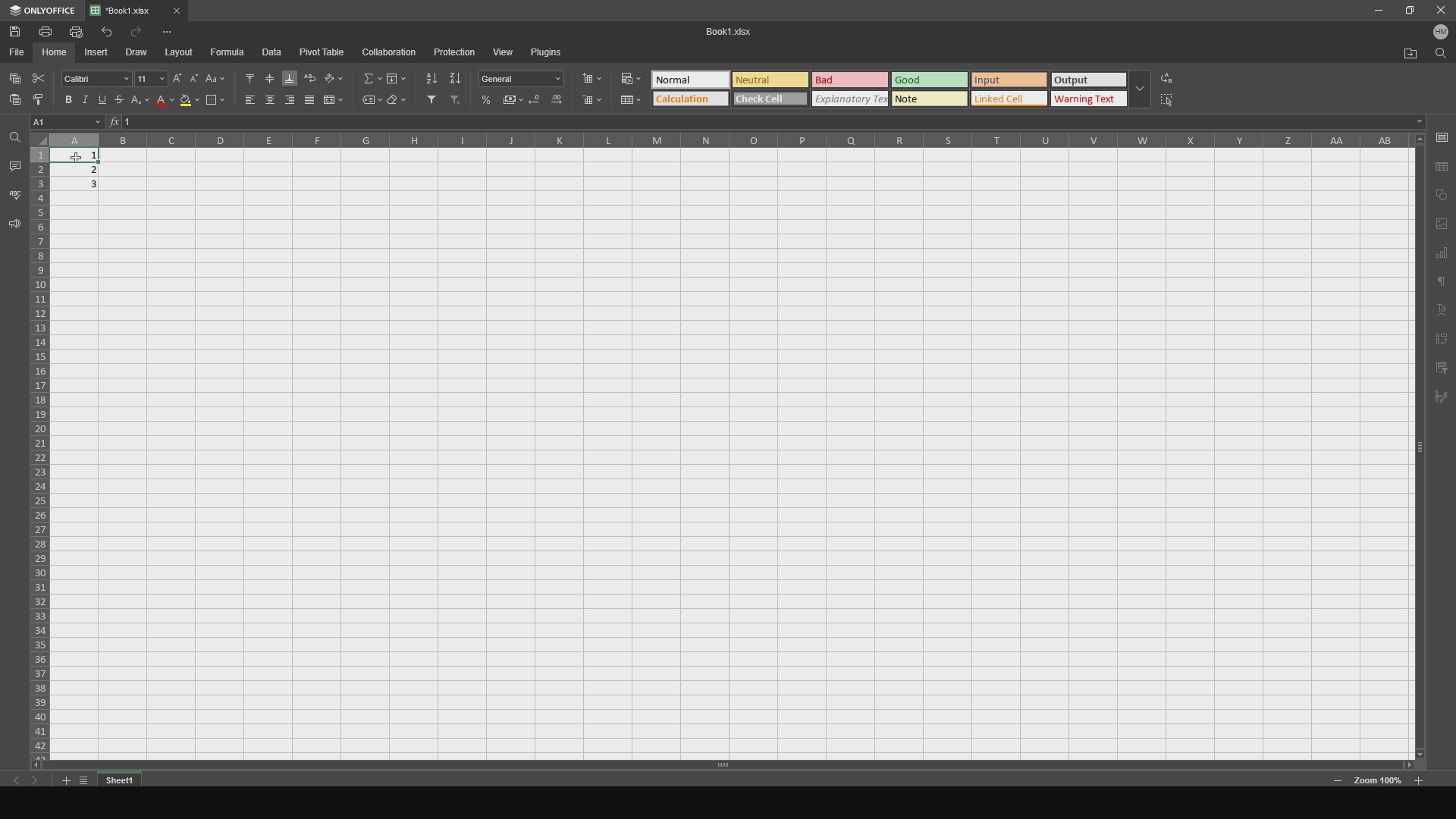  Describe the element at coordinates (453, 52) in the screenshot. I see `protection` at that location.